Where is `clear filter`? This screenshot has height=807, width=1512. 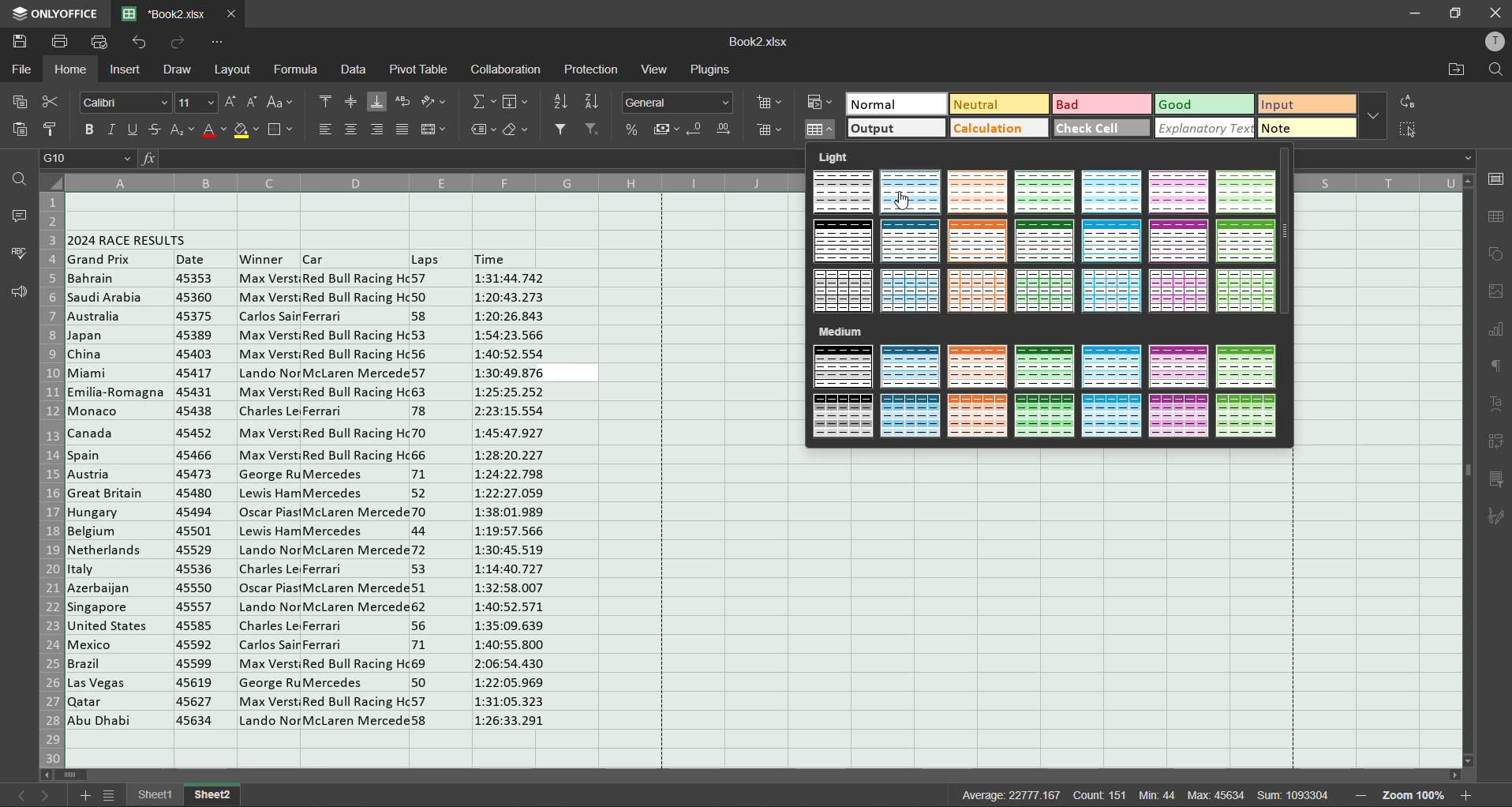 clear filter is located at coordinates (593, 128).